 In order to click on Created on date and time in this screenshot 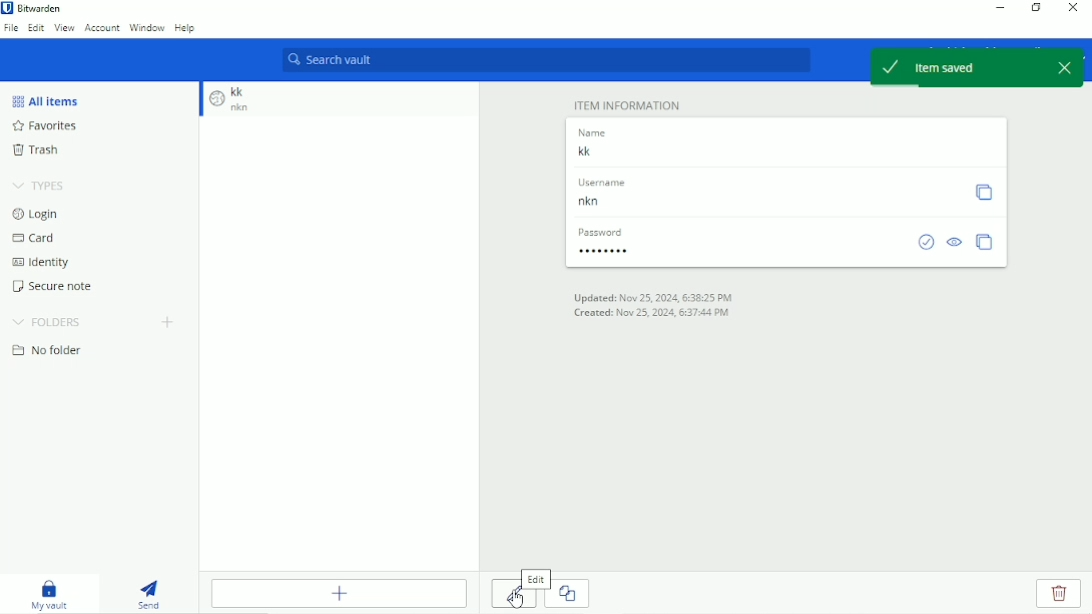, I will do `click(649, 313)`.